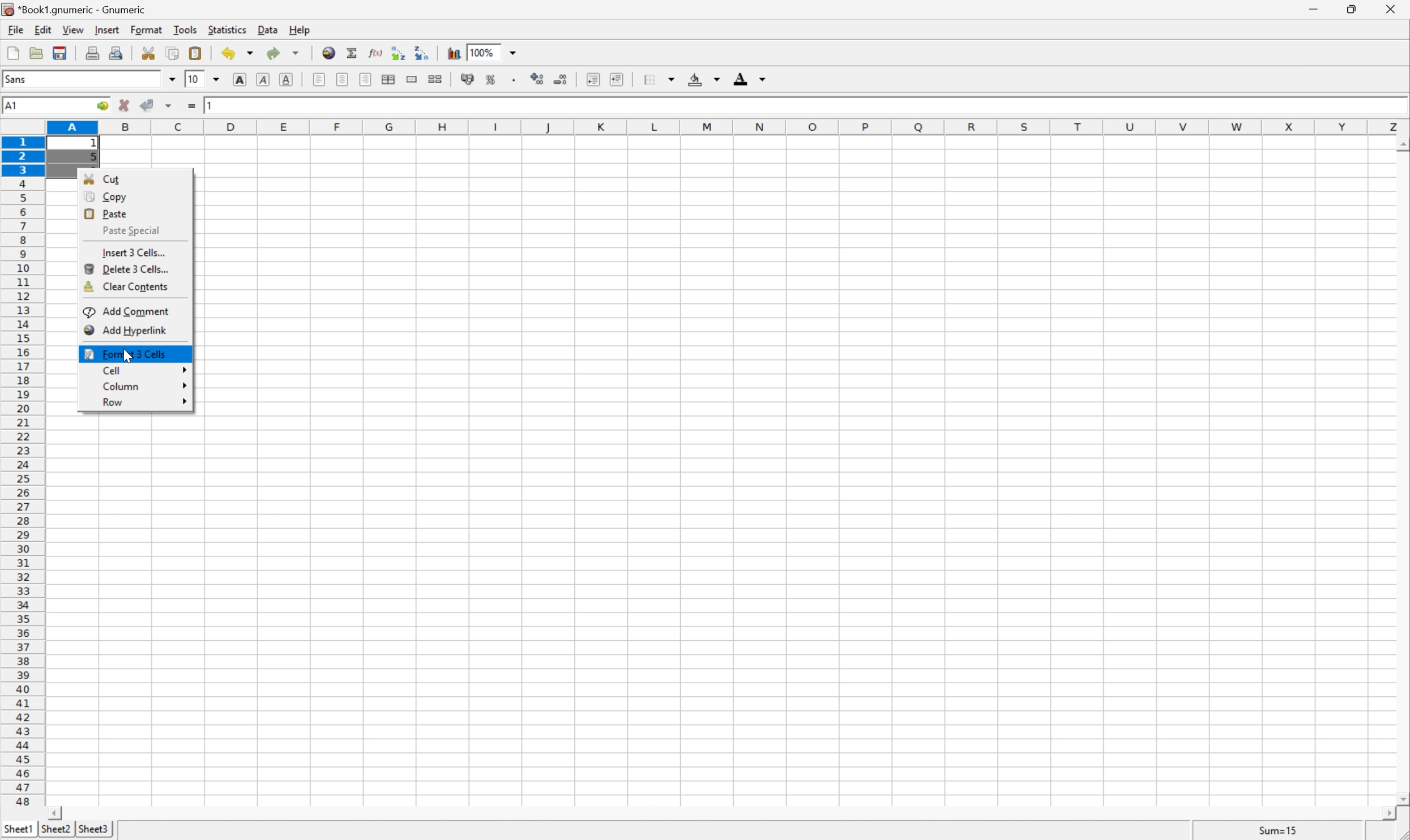  Describe the element at coordinates (516, 80) in the screenshot. I see `Set the format of the selected cells to include a thousands separator` at that location.